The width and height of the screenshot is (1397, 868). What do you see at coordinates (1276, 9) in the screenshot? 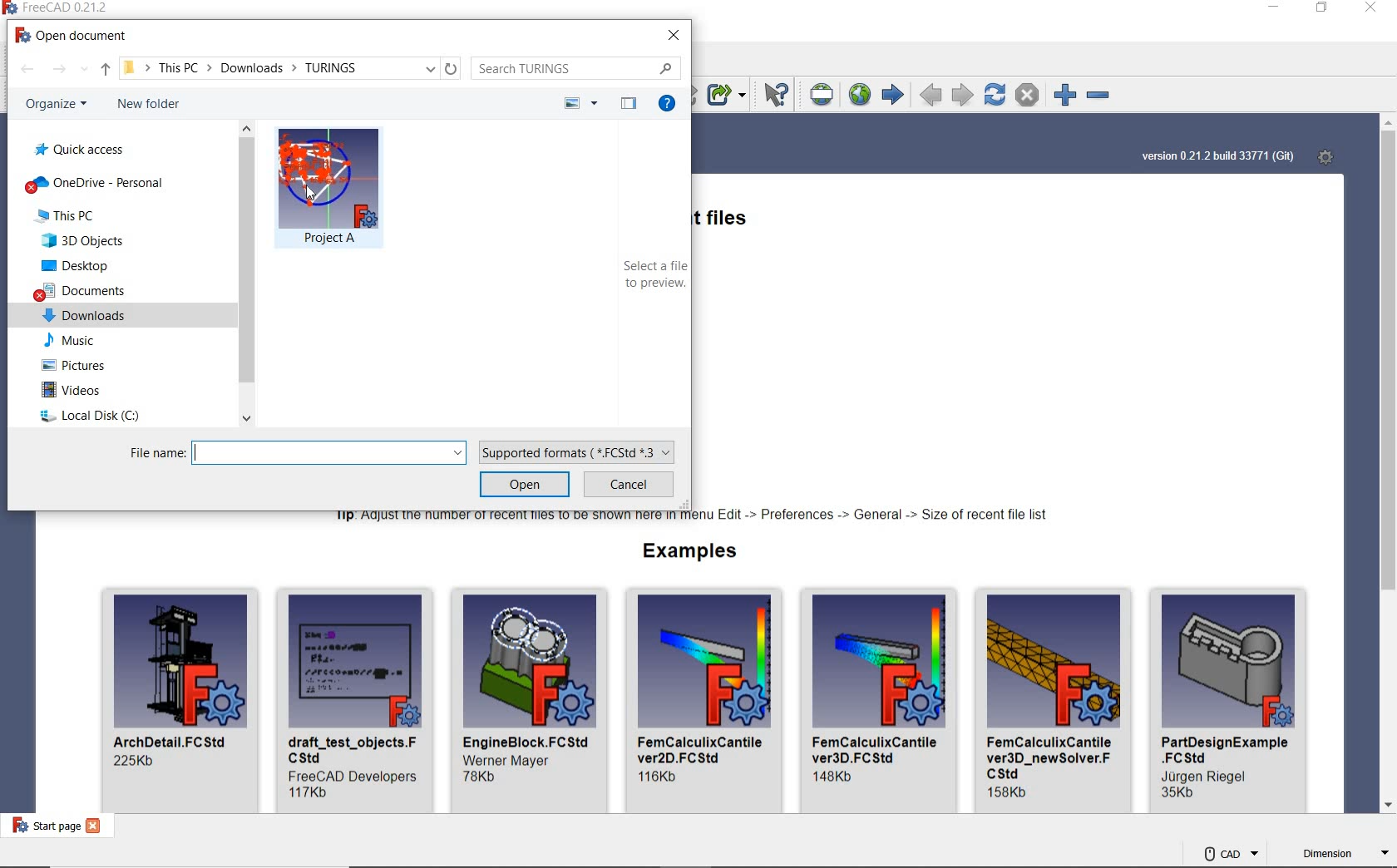
I see `MINIMIZE` at bounding box center [1276, 9].